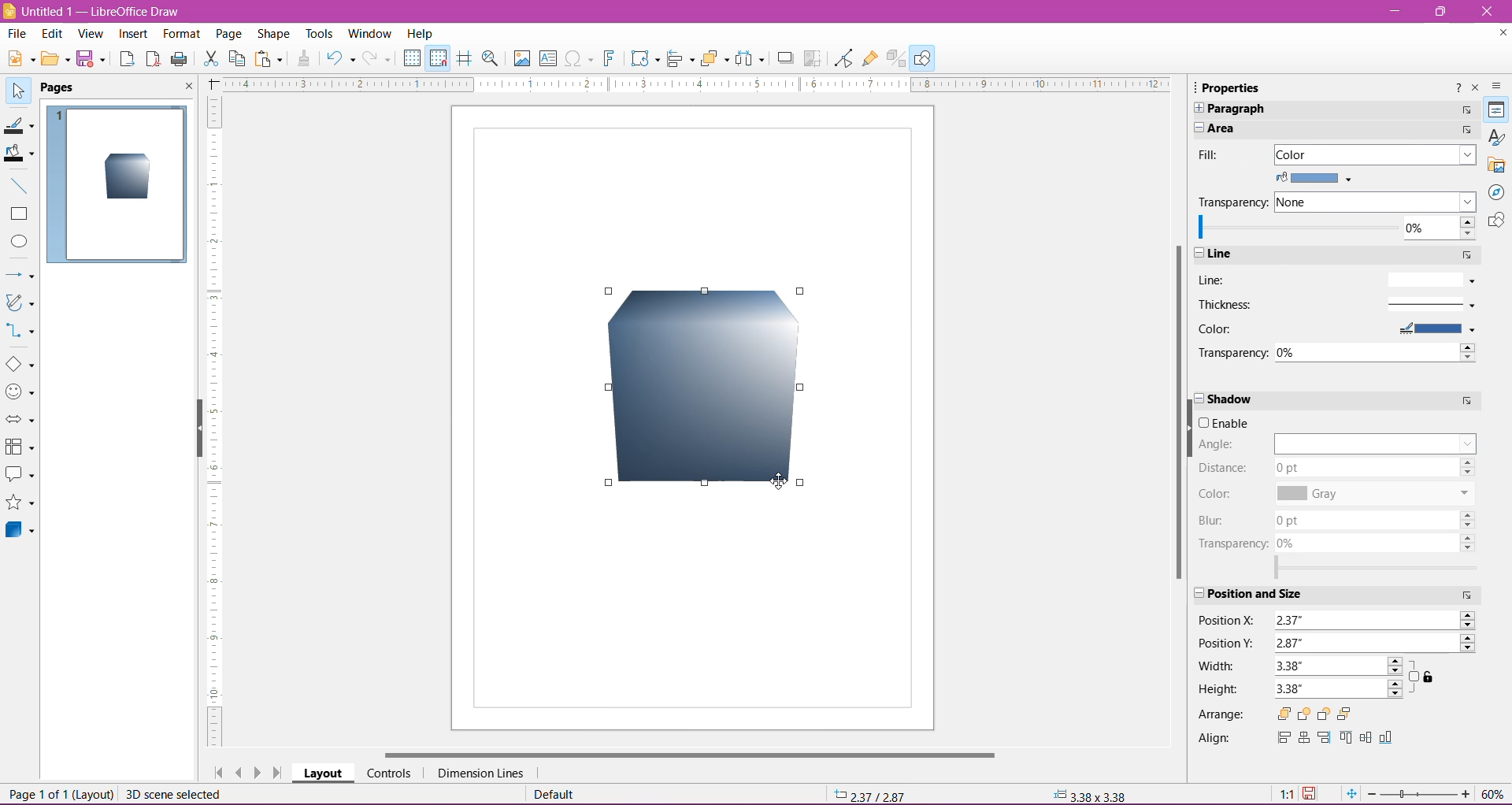 The image size is (1512, 805). What do you see at coordinates (1199, 128) in the screenshot?
I see `Expand/Close pane` at bounding box center [1199, 128].